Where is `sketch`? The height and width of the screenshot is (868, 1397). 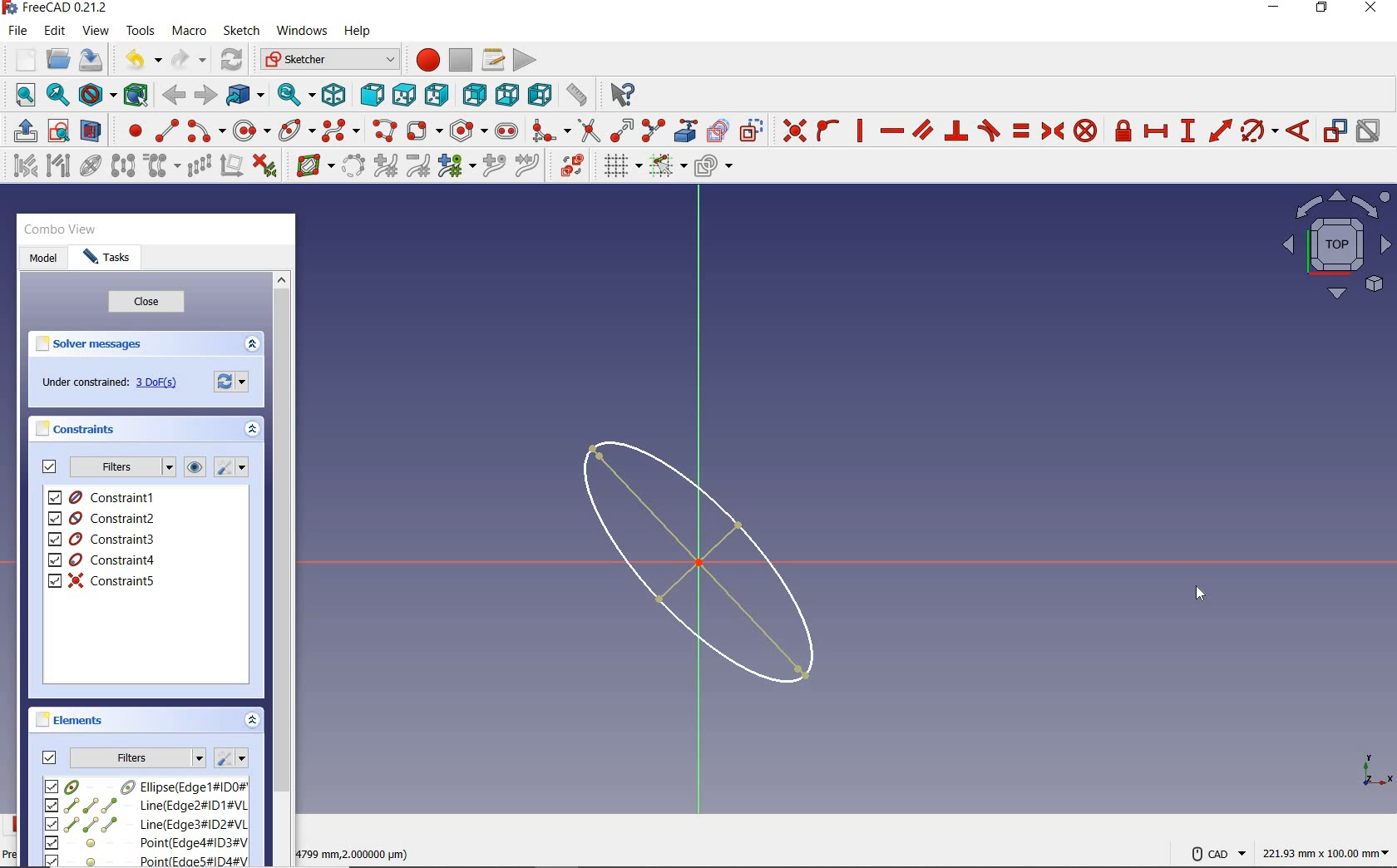
sketch is located at coordinates (240, 31).